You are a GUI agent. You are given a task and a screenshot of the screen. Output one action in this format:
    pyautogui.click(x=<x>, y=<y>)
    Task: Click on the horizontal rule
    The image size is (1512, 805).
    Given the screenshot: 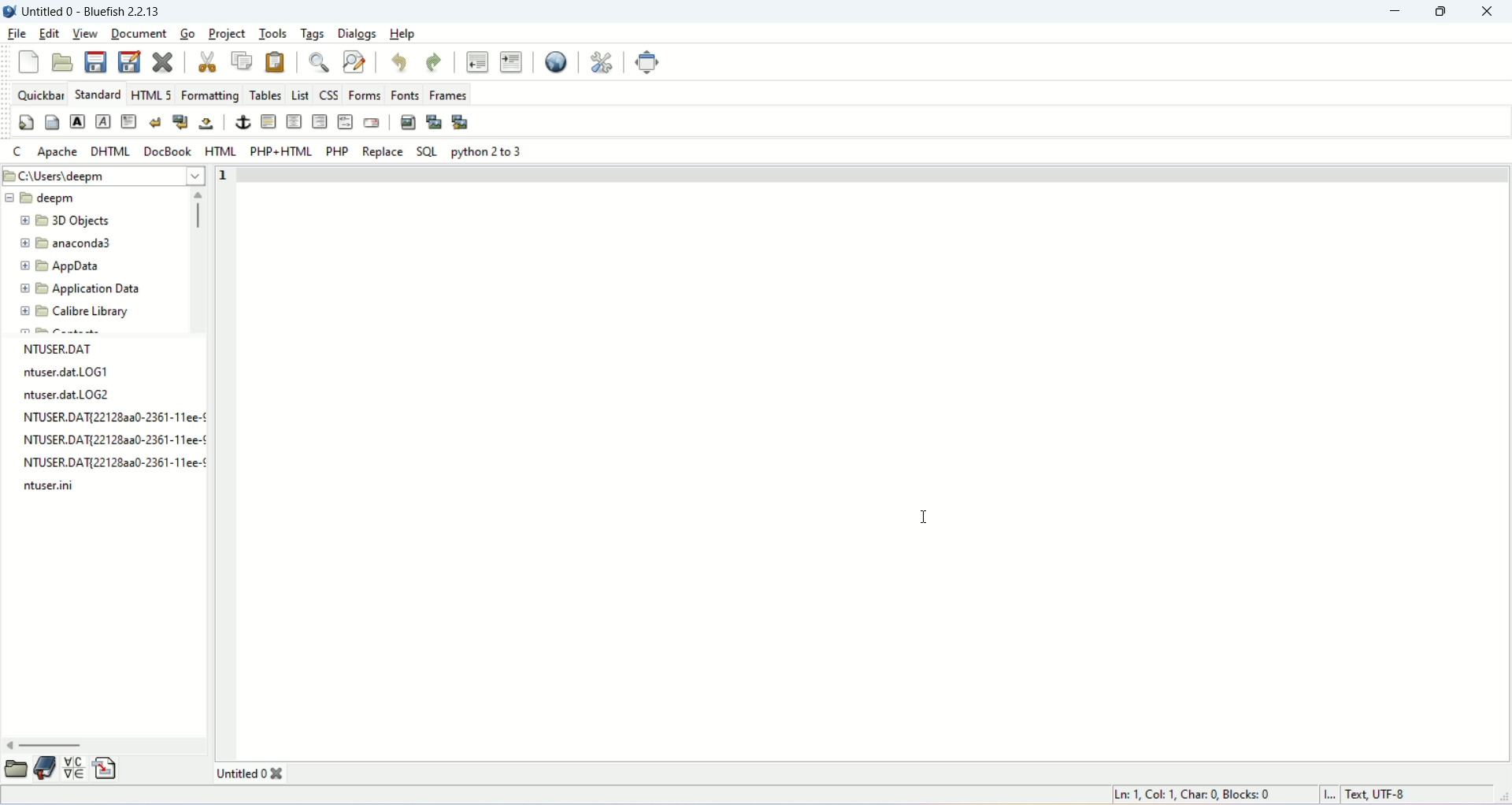 What is the action you would take?
    pyautogui.click(x=268, y=122)
    